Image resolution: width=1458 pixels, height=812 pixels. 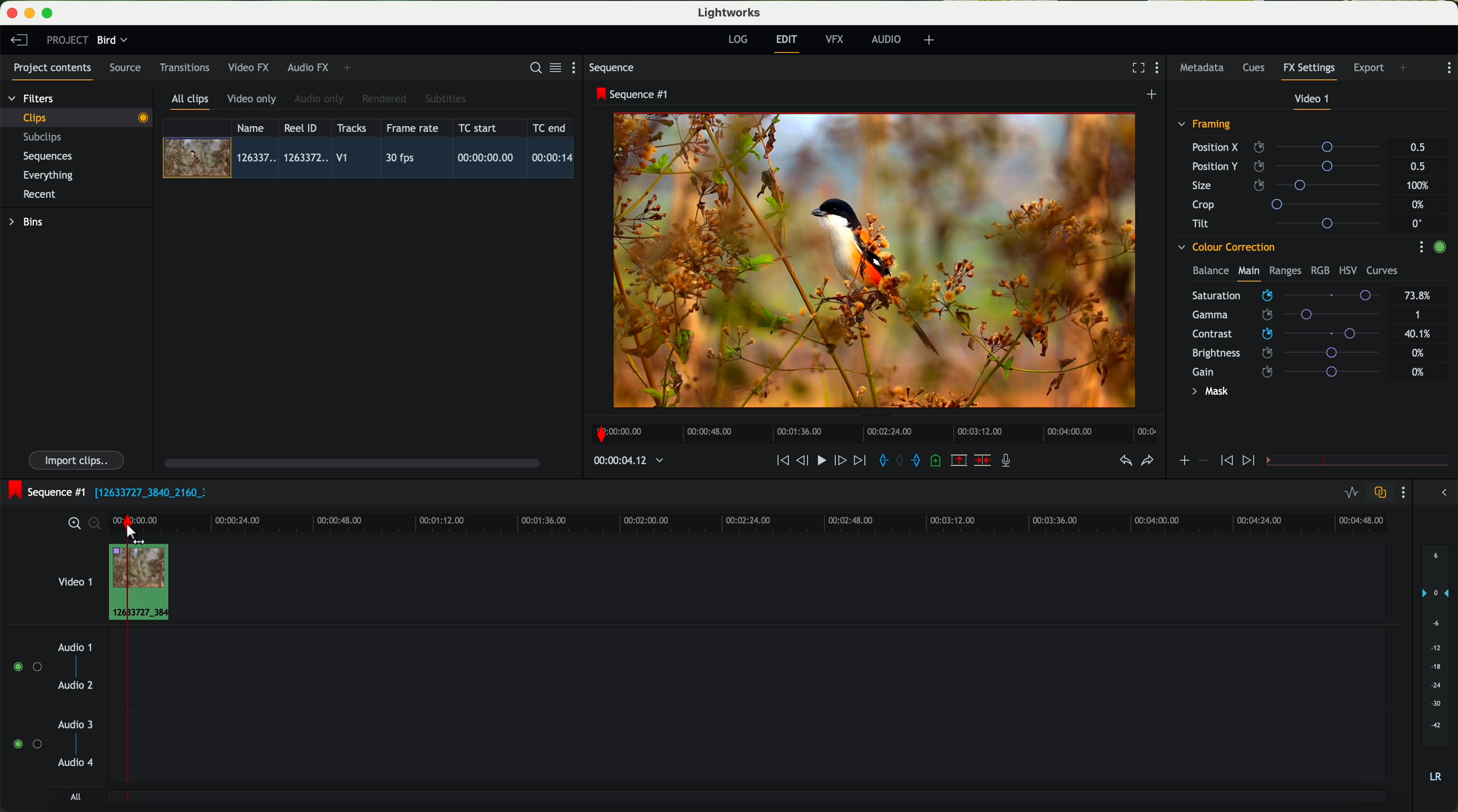 What do you see at coordinates (1293, 353) in the screenshot?
I see `brightness` at bounding box center [1293, 353].